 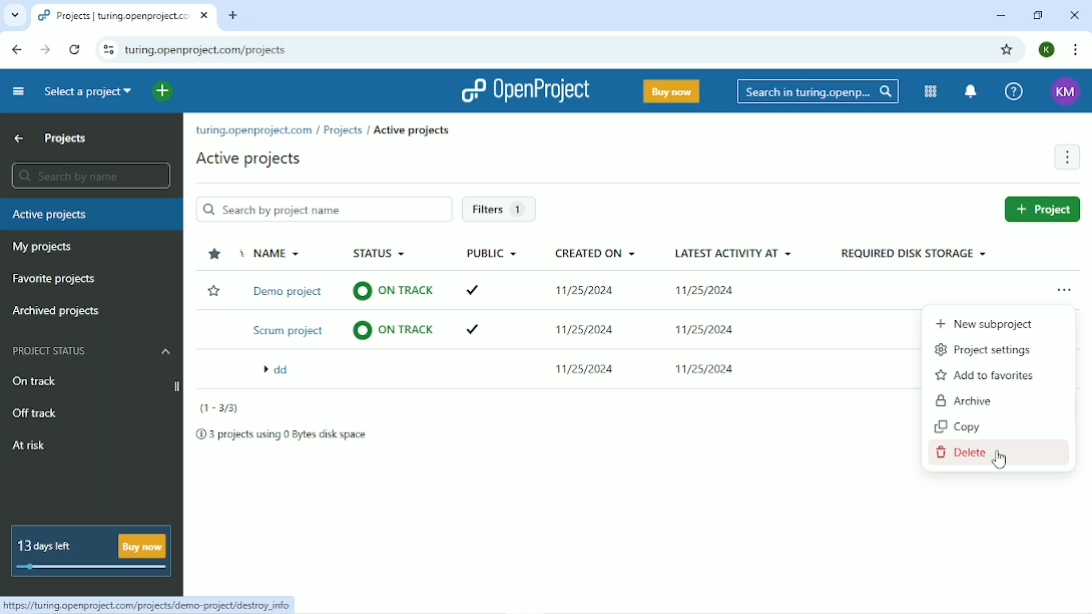 What do you see at coordinates (251, 132) in the screenshot?
I see `turing.openproject.com` at bounding box center [251, 132].